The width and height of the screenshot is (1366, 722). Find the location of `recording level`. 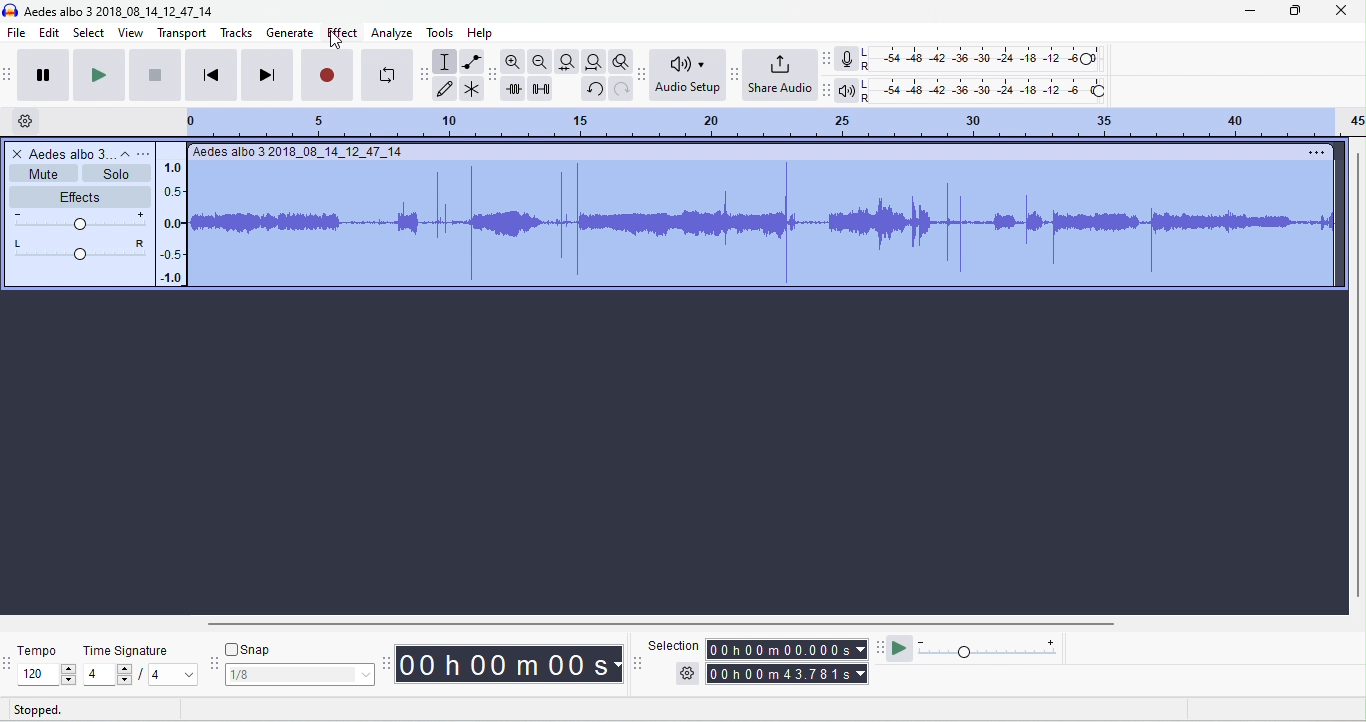

recording level is located at coordinates (991, 60).